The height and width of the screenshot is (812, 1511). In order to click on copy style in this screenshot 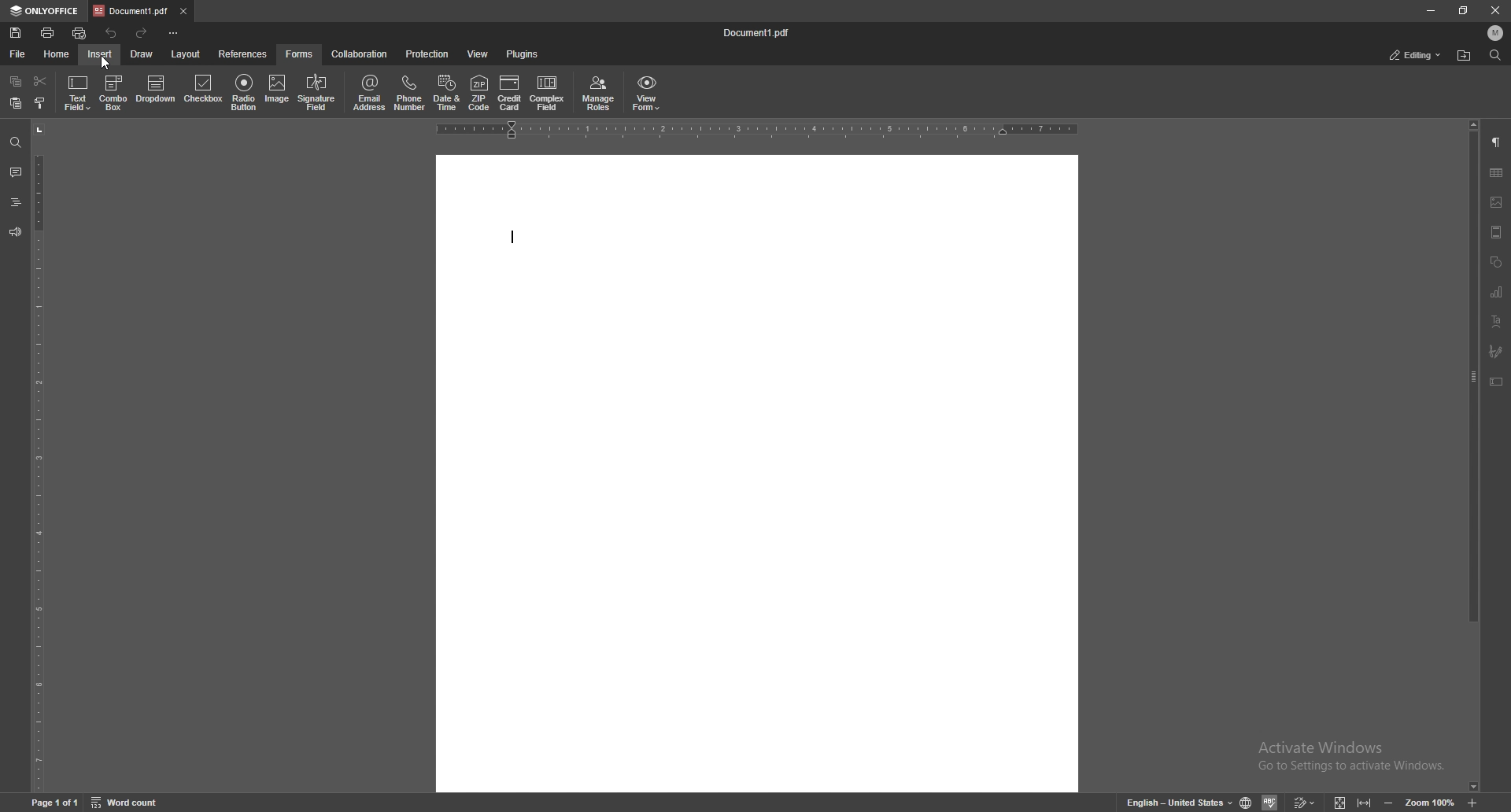, I will do `click(40, 104)`.